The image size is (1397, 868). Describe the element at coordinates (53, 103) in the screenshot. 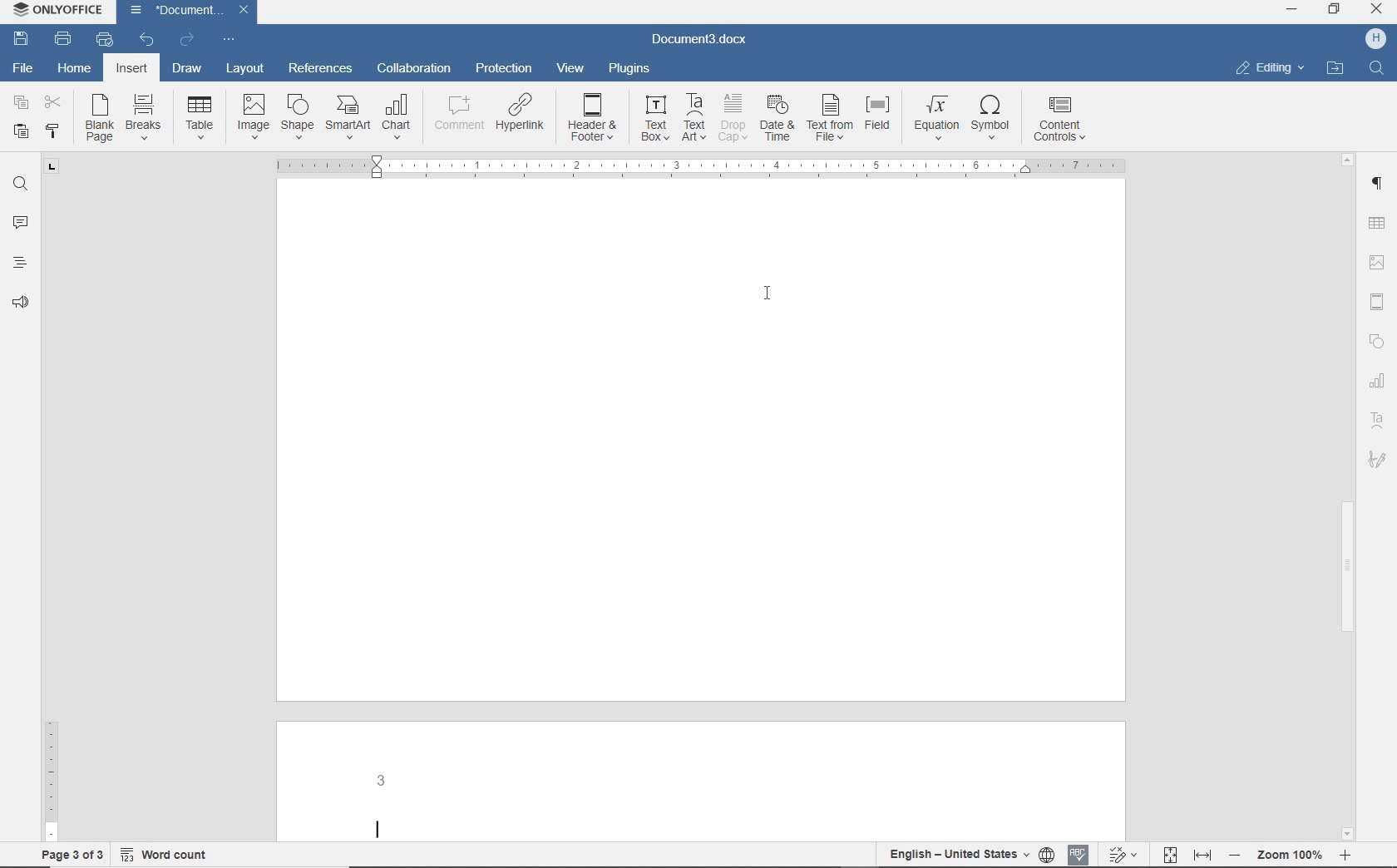

I see `CUT` at that location.